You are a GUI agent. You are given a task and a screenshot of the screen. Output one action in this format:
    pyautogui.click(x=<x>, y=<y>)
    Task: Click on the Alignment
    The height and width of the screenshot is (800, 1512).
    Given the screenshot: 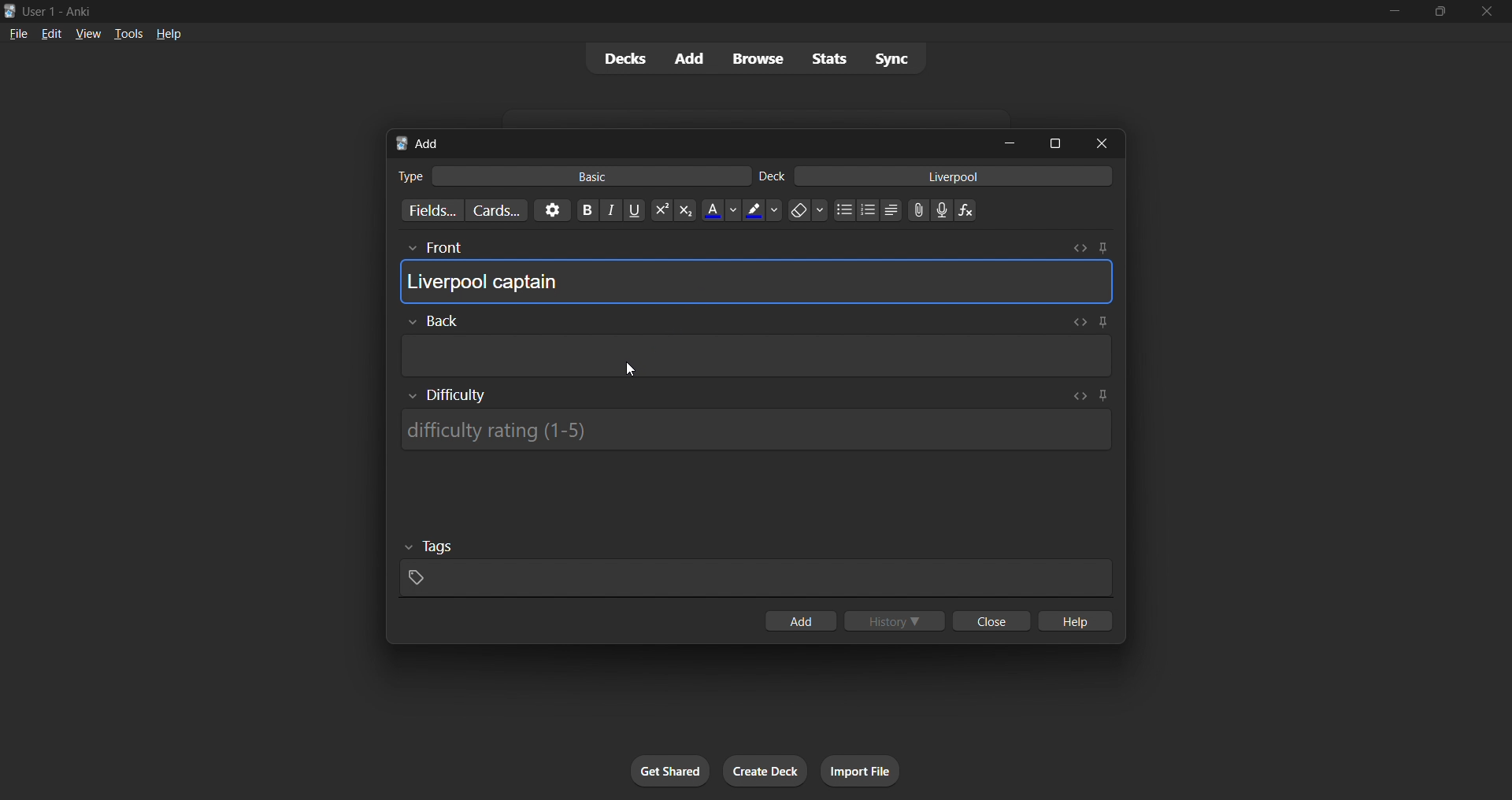 What is the action you would take?
    pyautogui.click(x=891, y=210)
    